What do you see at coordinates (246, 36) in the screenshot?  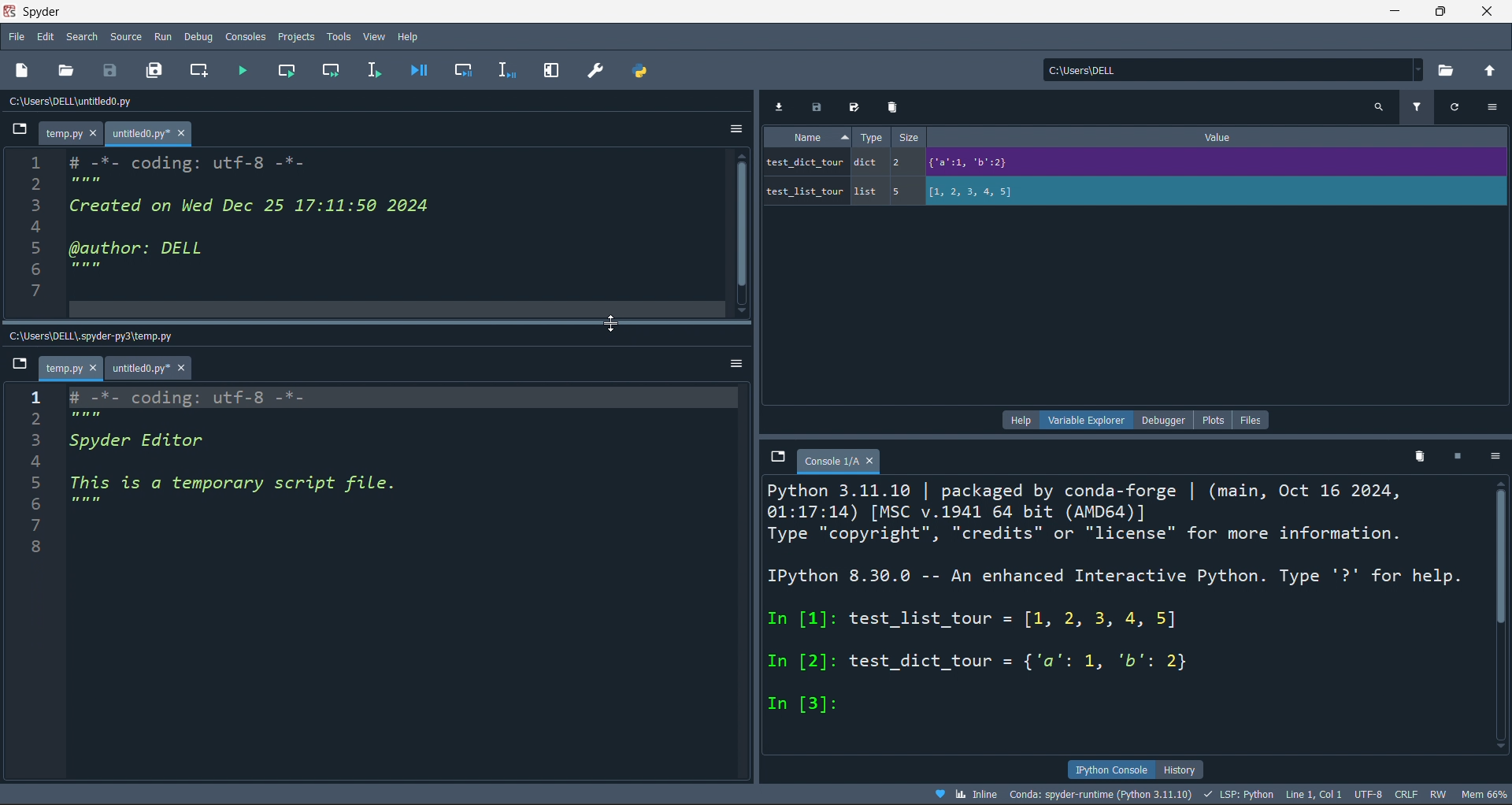 I see `consolesn` at bounding box center [246, 36].